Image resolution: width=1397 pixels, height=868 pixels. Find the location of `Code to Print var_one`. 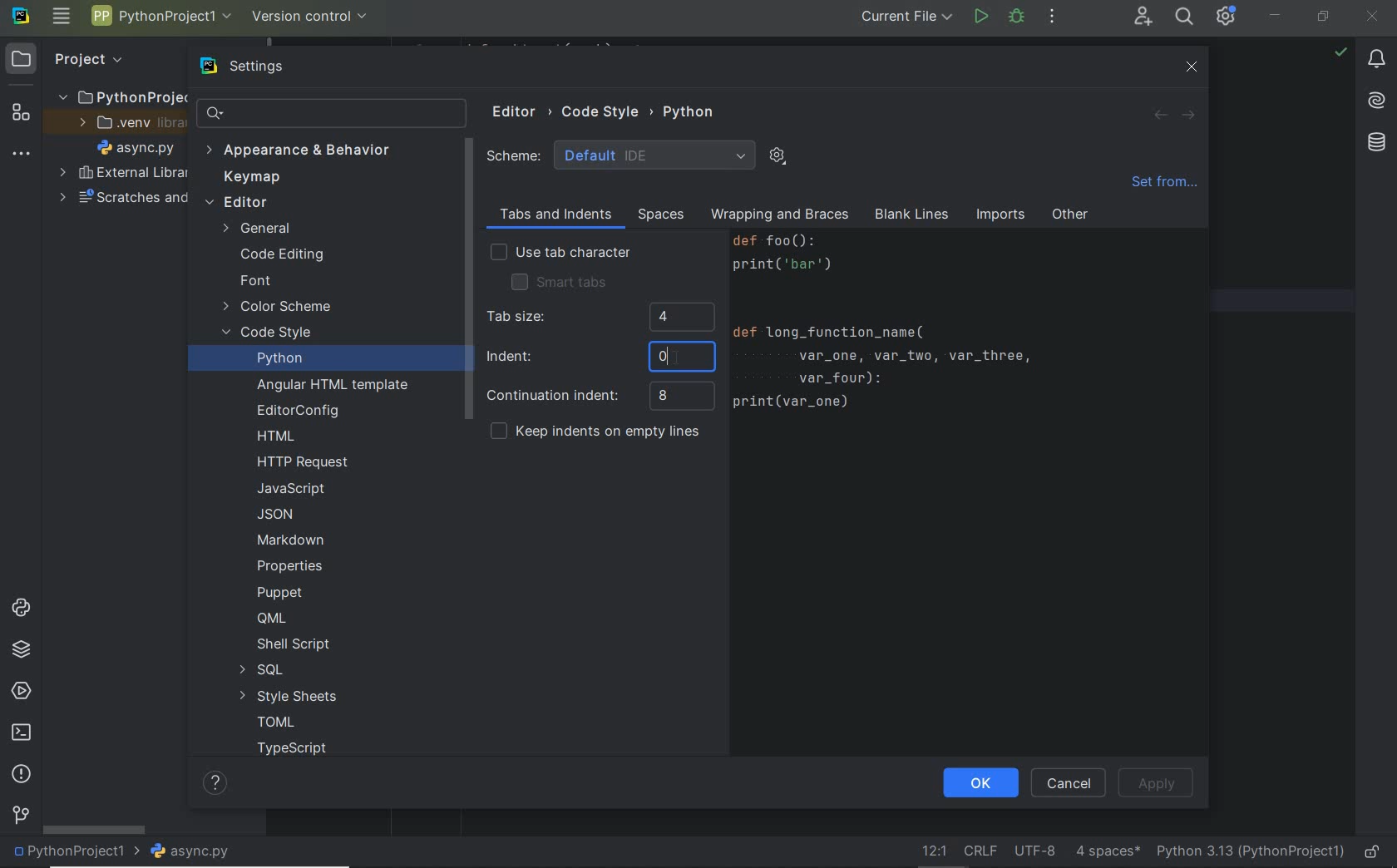

Code to Print var_one is located at coordinates (898, 329).